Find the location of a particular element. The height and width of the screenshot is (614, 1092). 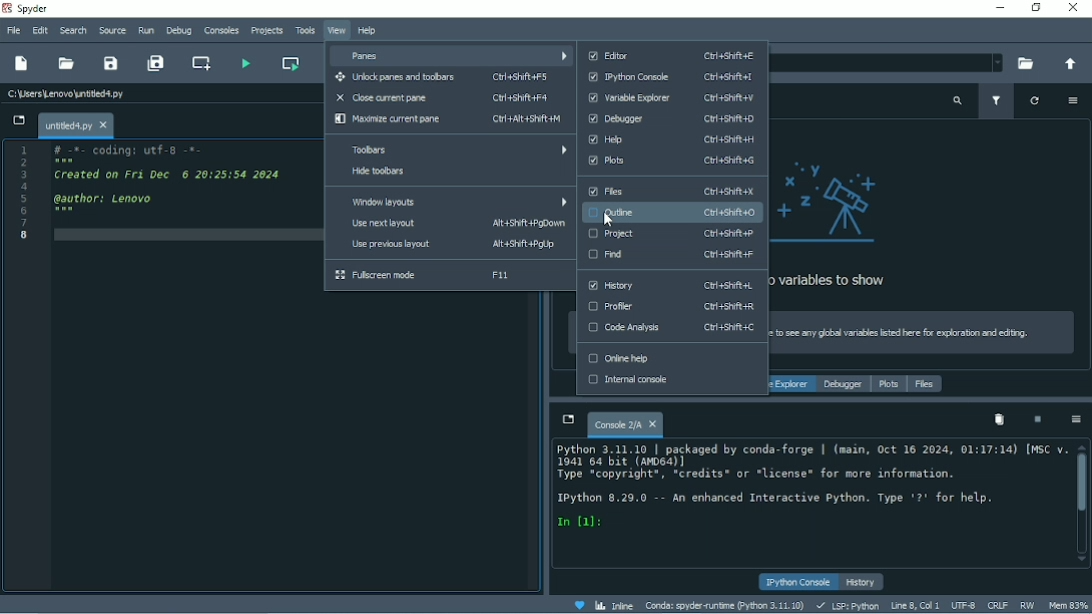

Help is located at coordinates (673, 139).